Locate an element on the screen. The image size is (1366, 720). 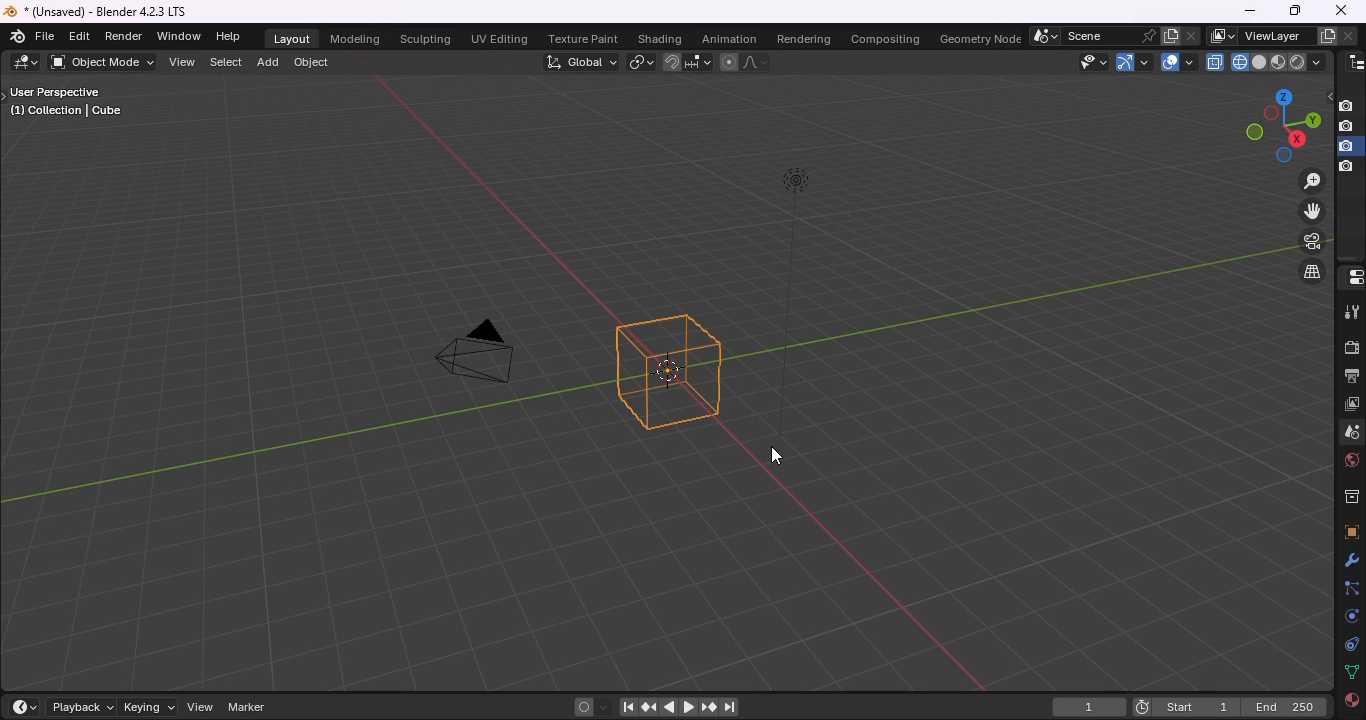
perspective camera focal length value in millimeters is located at coordinates (481, 350).